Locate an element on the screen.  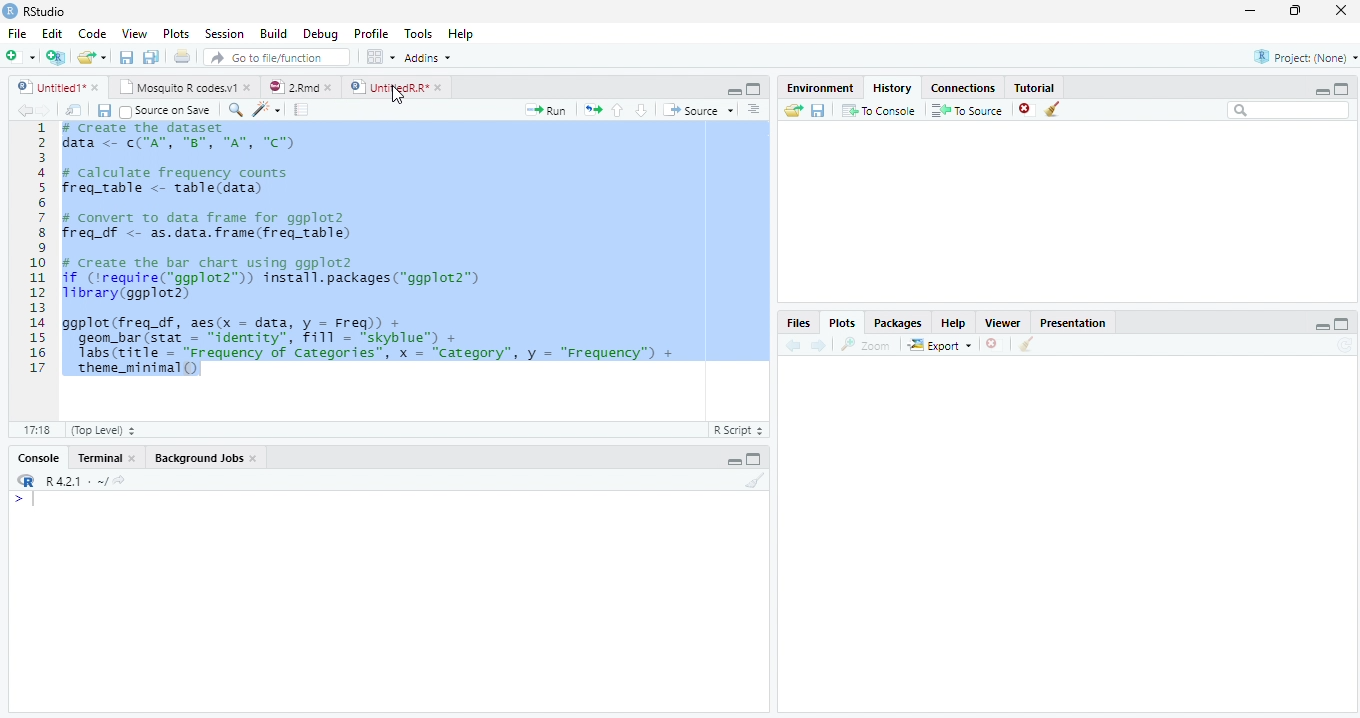
Delete  is located at coordinates (1027, 110).